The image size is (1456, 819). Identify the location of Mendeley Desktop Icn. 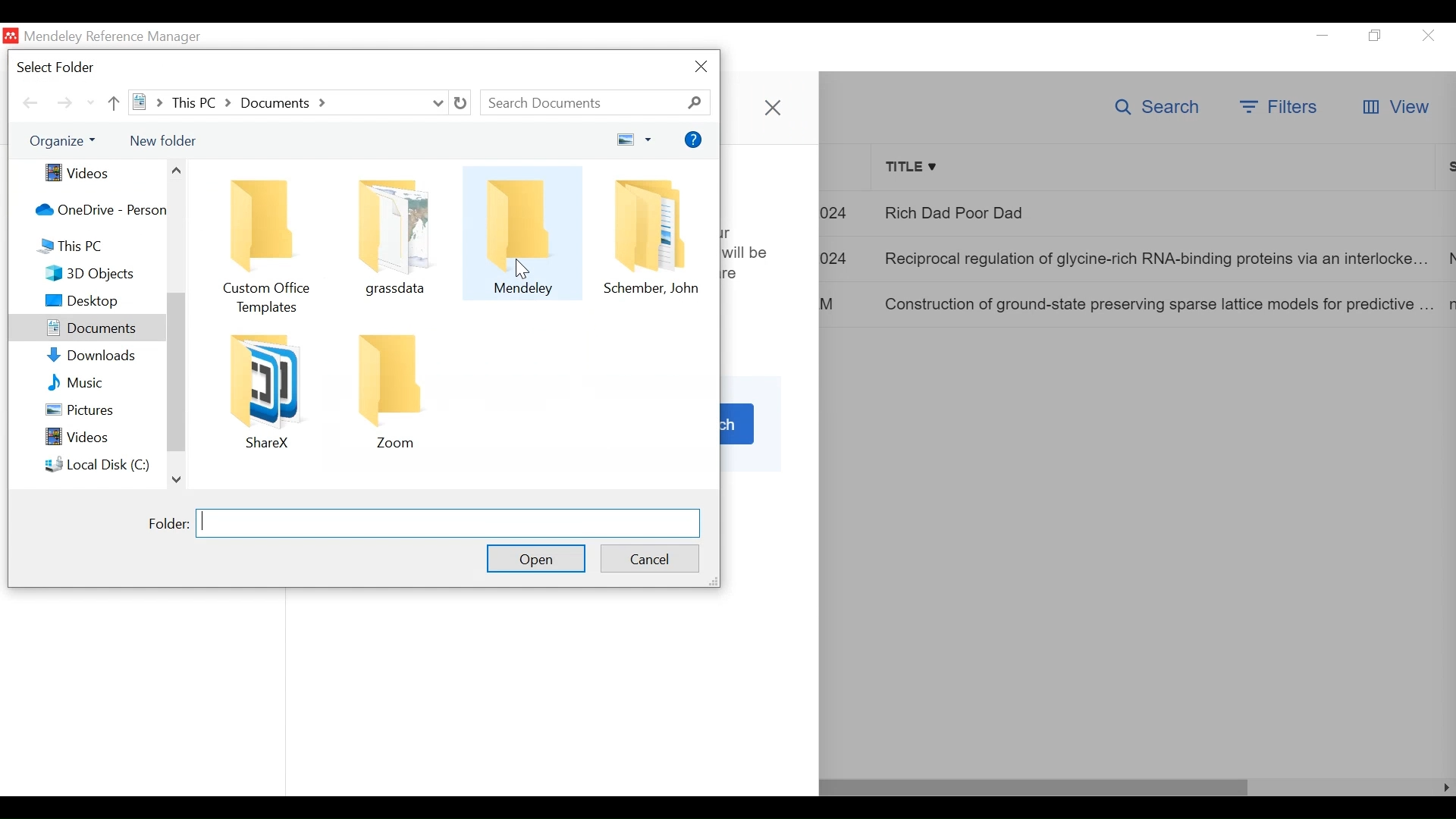
(10, 35).